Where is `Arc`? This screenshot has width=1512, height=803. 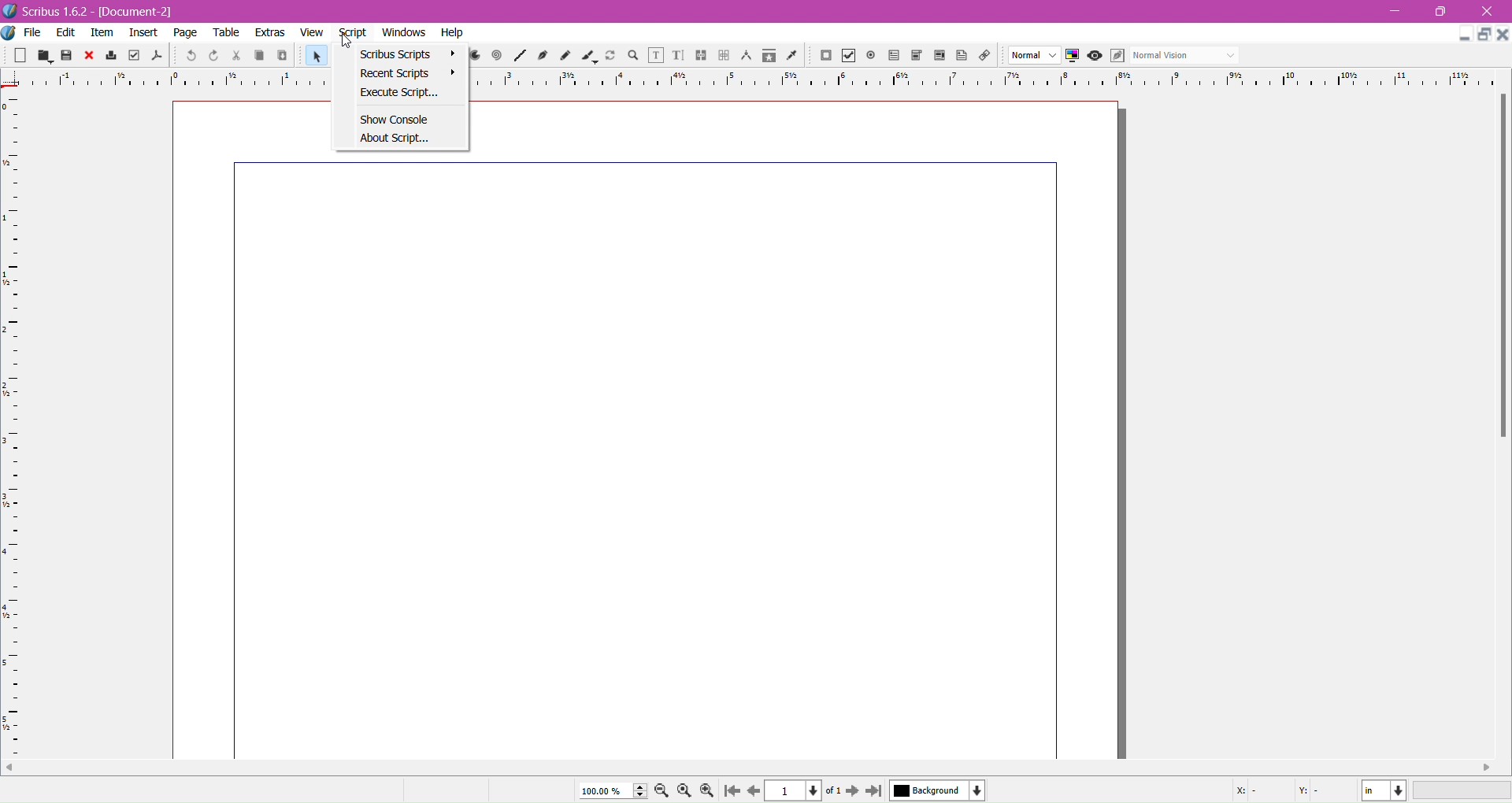 Arc is located at coordinates (473, 56).